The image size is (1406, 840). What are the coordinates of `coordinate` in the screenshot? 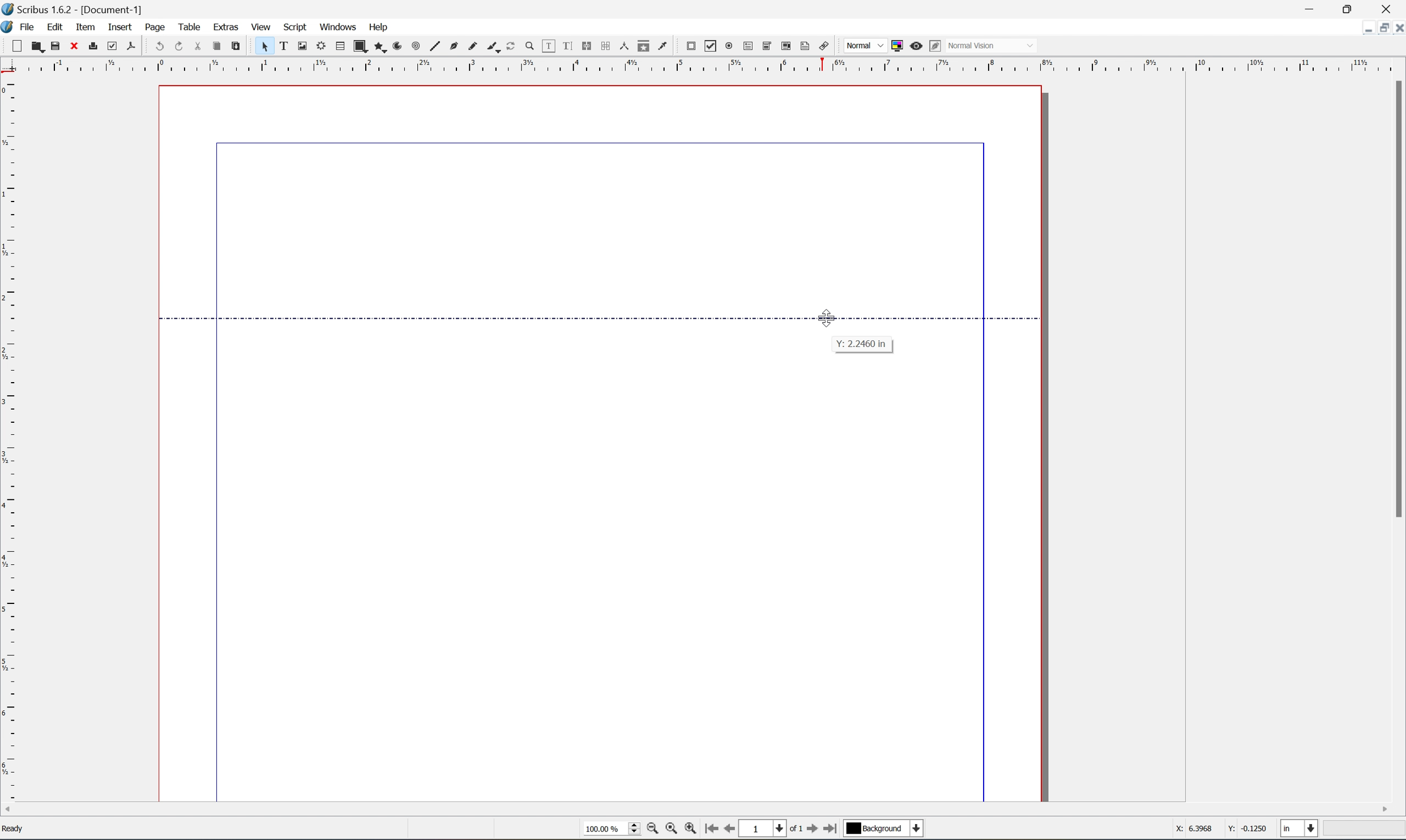 It's located at (856, 343).